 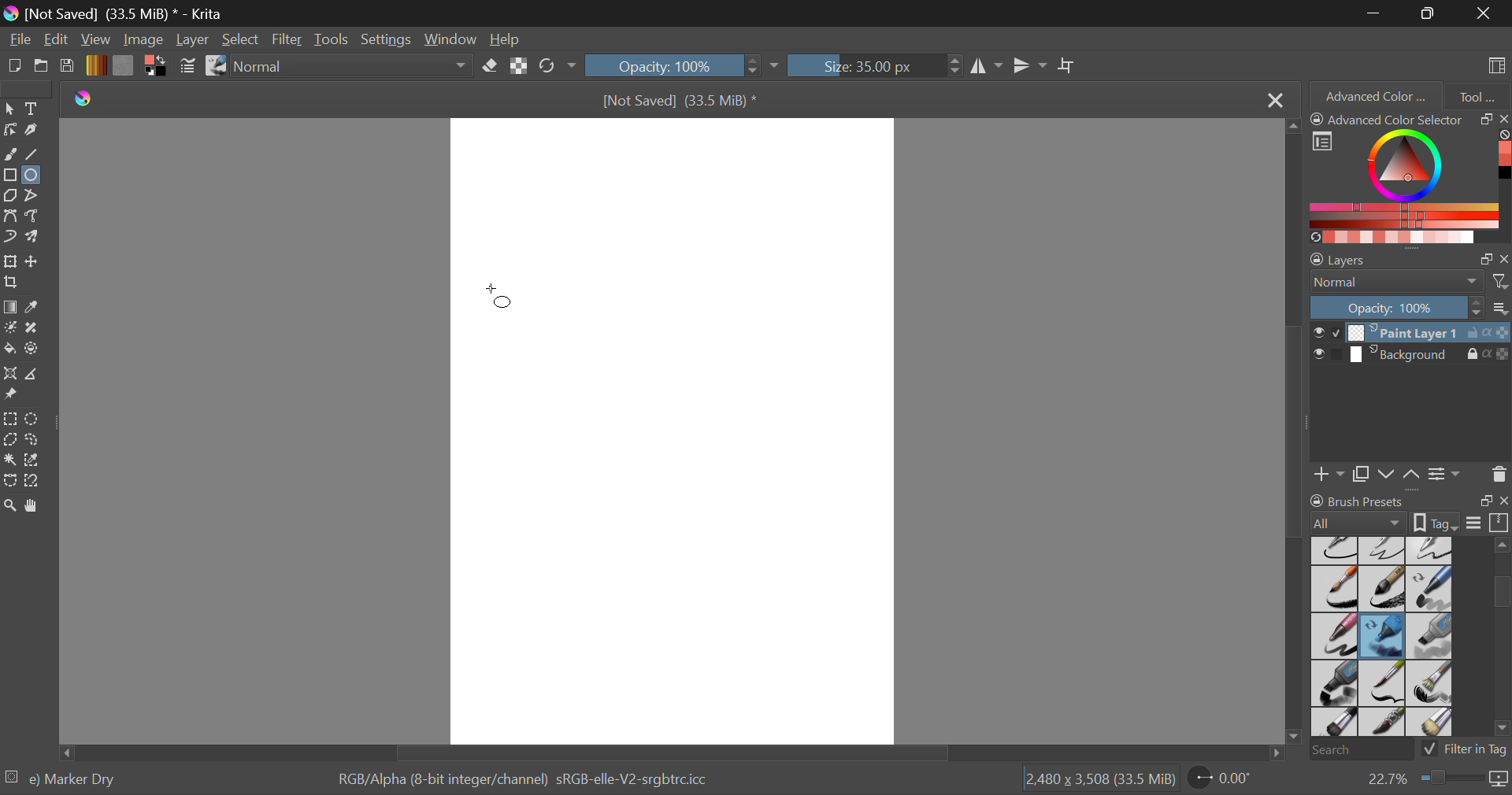 I want to click on Bristles-1 Details, so click(x=1383, y=682).